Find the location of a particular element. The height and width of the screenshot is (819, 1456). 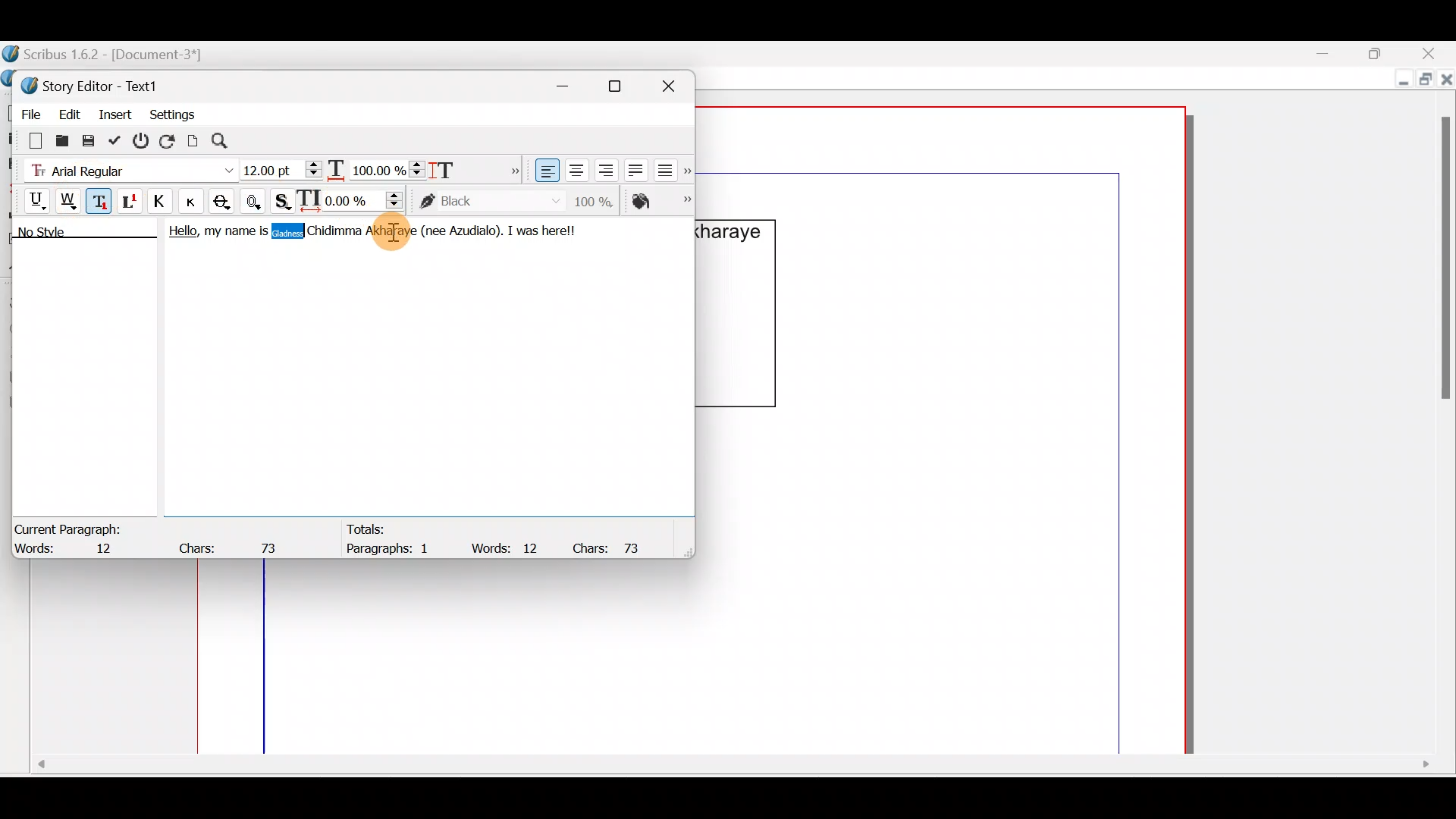

Minimize is located at coordinates (1400, 81).